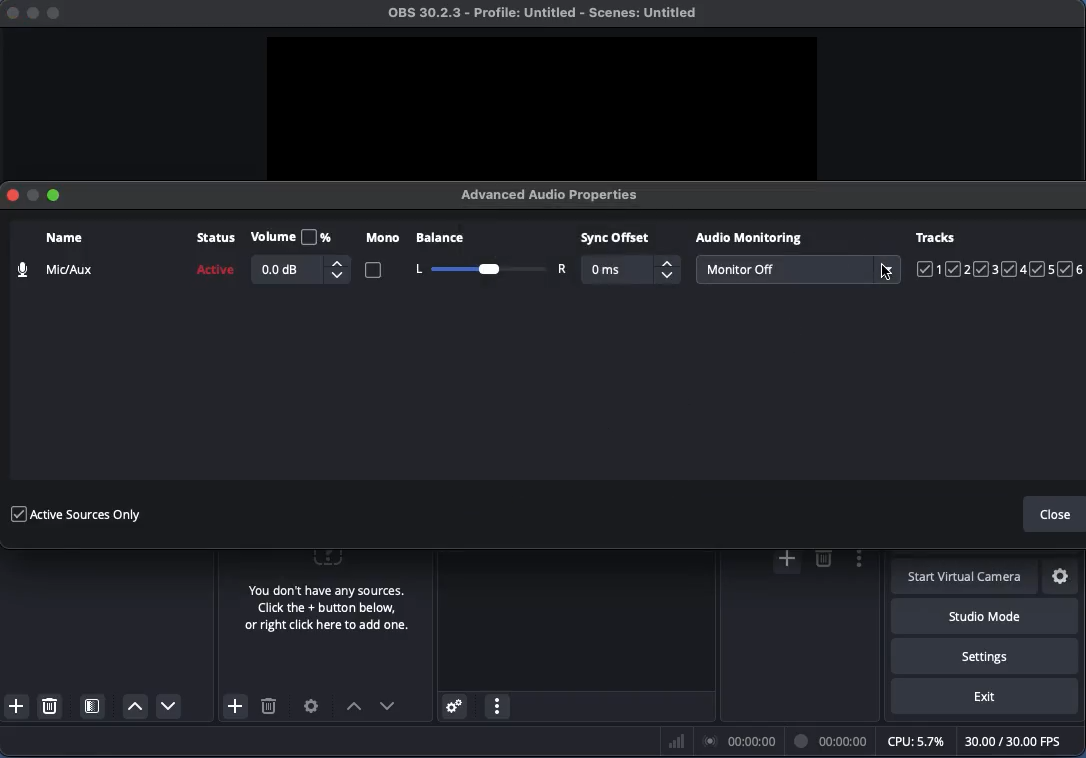 This screenshot has width=1086, height=758. Describe the element at coordinates (1062, 577) in the screenshot. I see `Settings` at that location.